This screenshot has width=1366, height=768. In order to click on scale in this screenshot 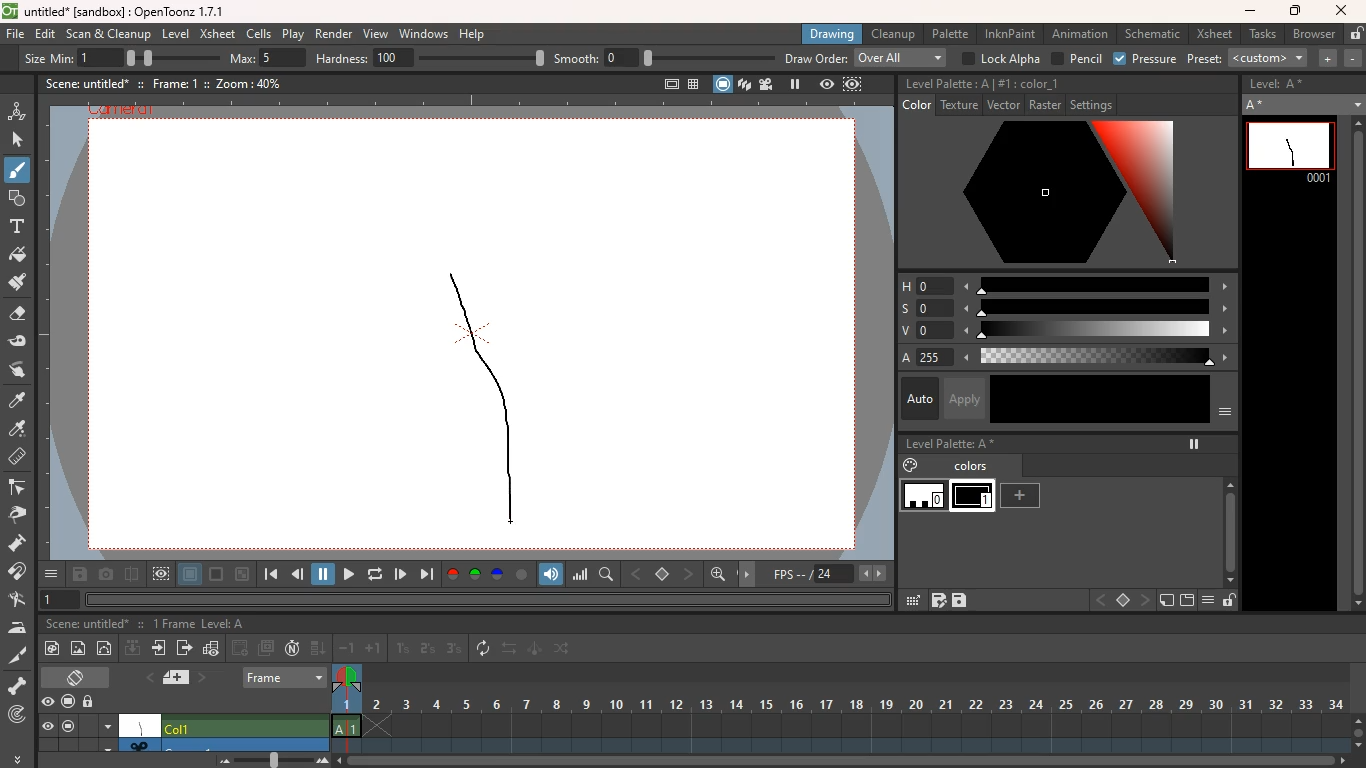, I will do `click(581, 575)`.